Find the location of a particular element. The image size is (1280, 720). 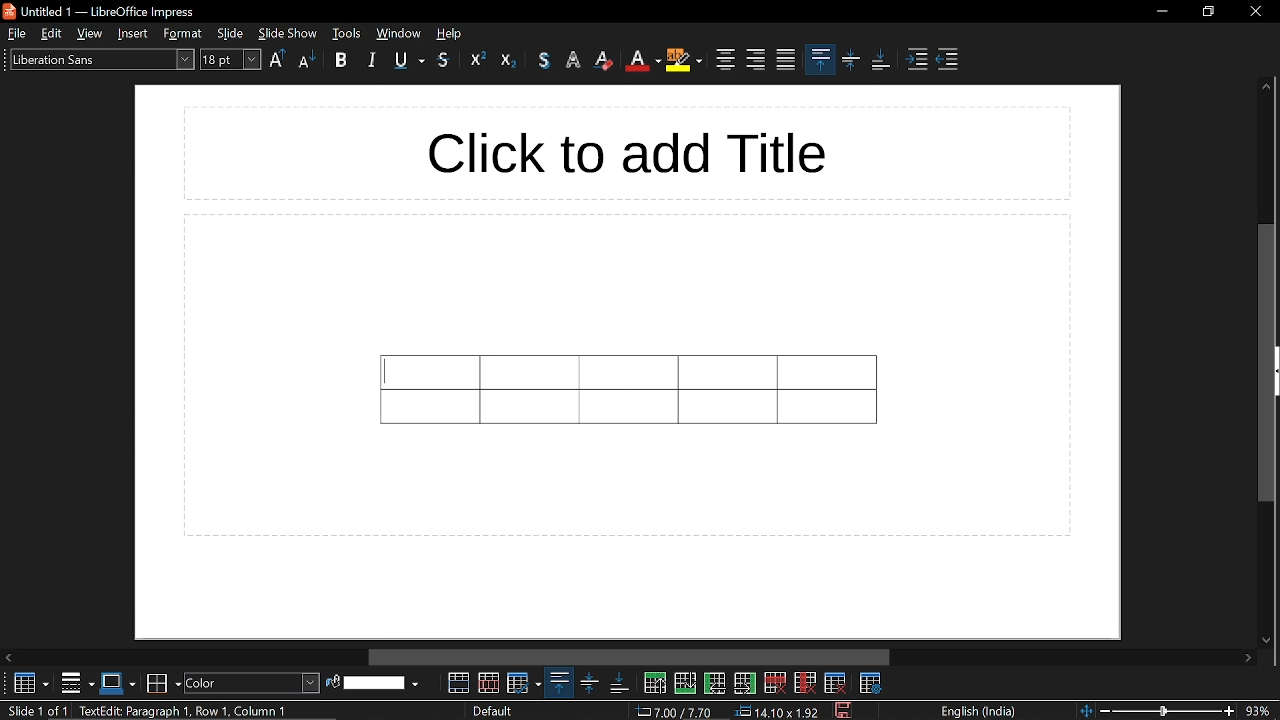

eraser is located at coordinates (509, 59).